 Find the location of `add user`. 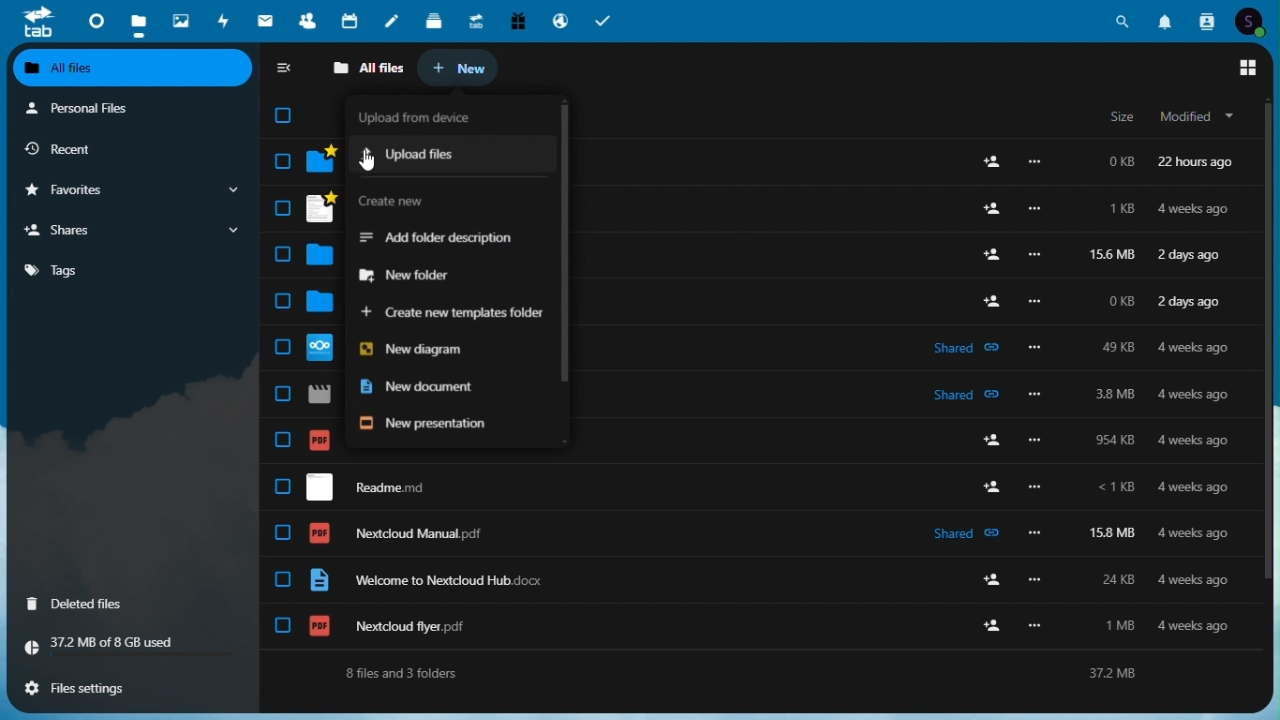

add user is located at coordinates (993, 441).